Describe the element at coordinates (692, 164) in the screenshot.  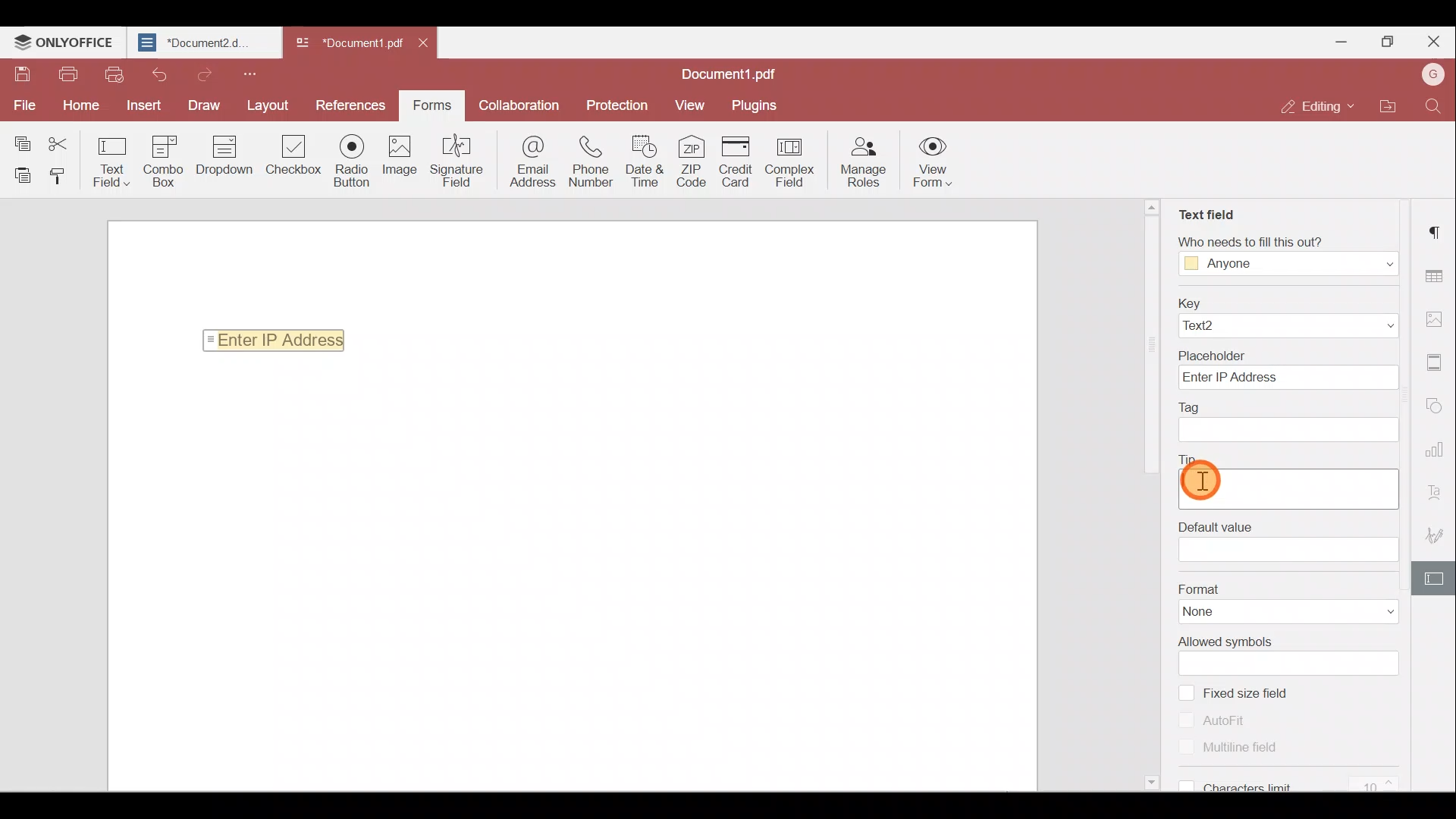
I see `ZIP Code` at that location.